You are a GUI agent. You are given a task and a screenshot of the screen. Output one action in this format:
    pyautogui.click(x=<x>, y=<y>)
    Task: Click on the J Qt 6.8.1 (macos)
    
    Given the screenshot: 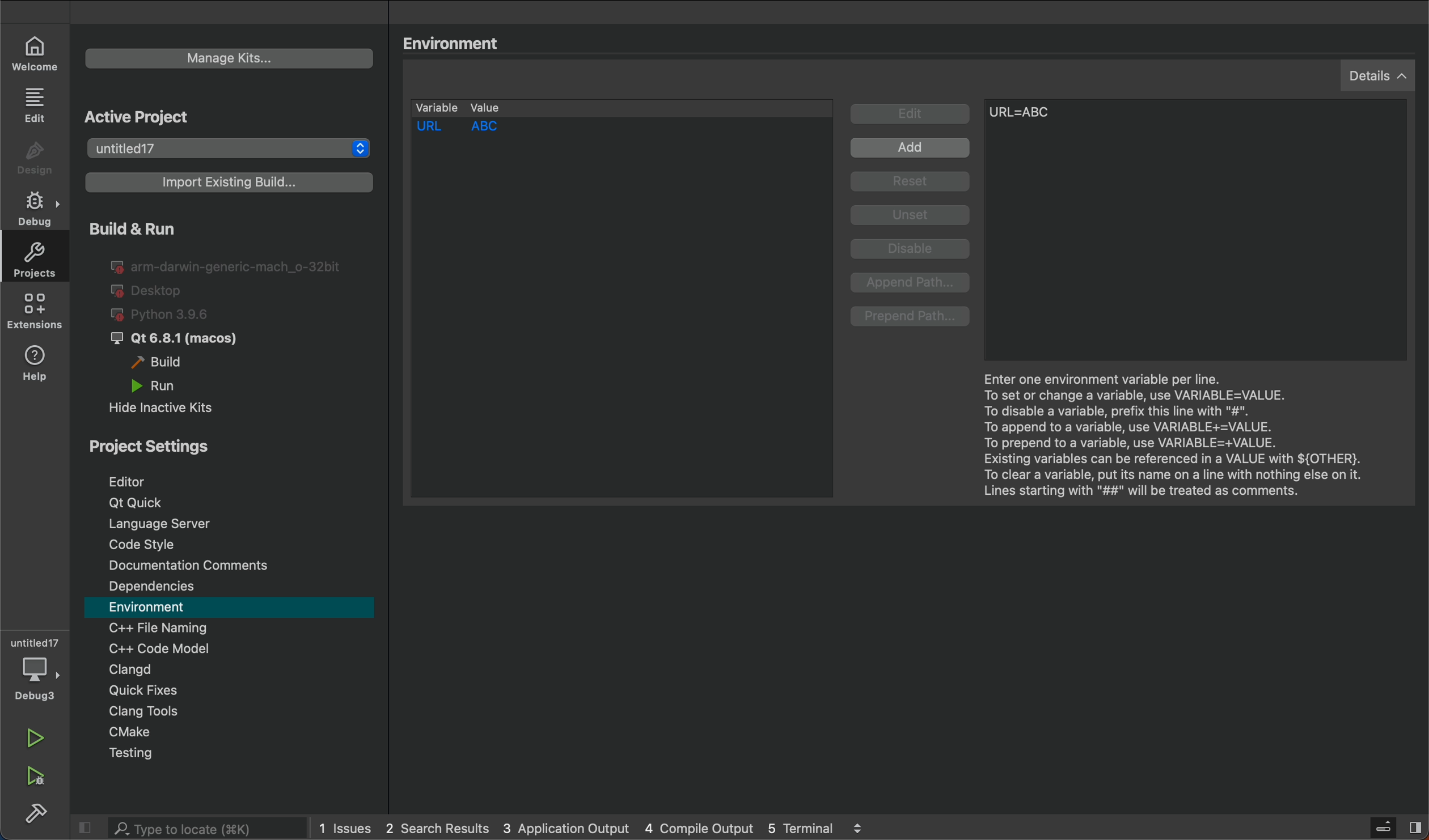 What is the action you would take?
    pyautogui.click(x=184, y=340)
    